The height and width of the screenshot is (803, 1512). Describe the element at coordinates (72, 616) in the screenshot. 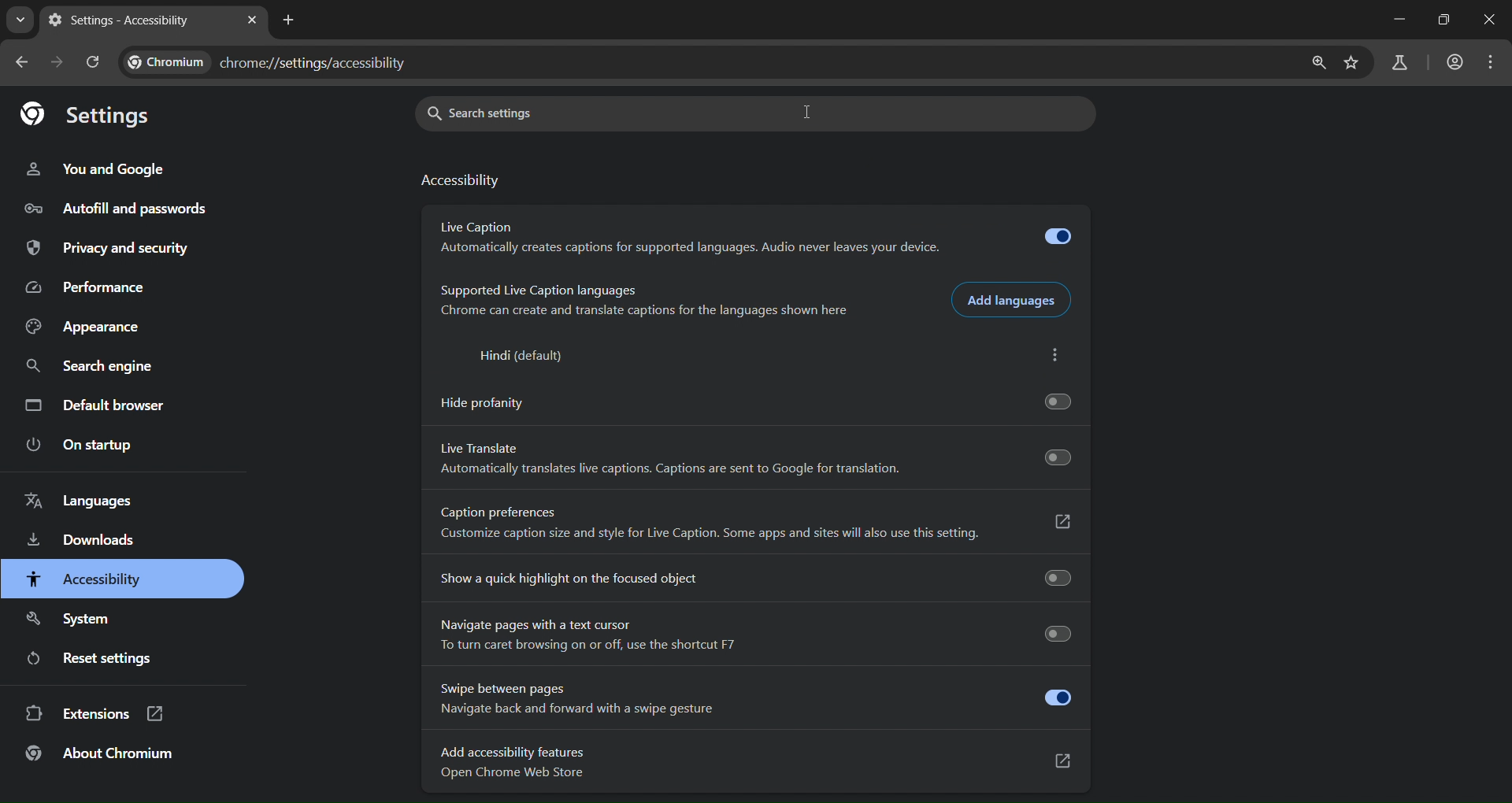

I see `system` at that location.